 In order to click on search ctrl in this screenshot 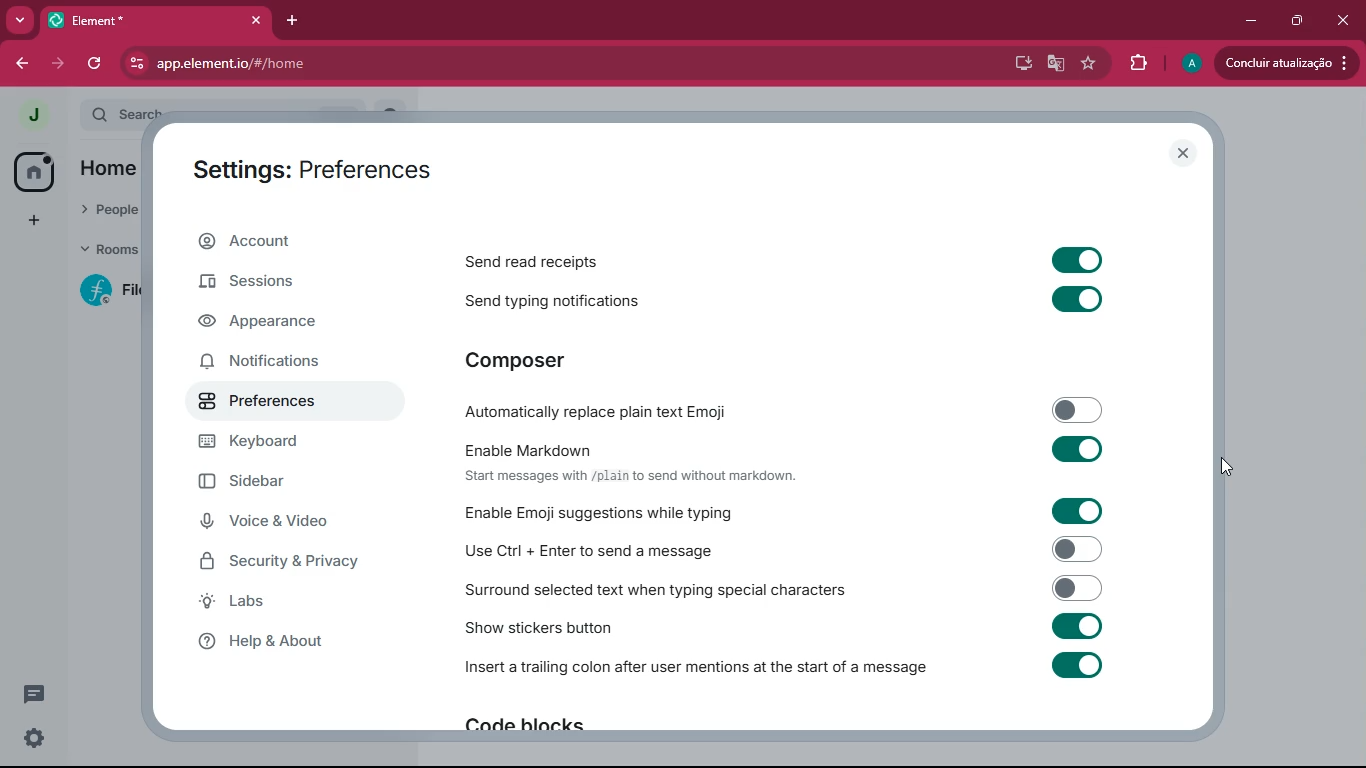, I will do `click(124, 112)`.